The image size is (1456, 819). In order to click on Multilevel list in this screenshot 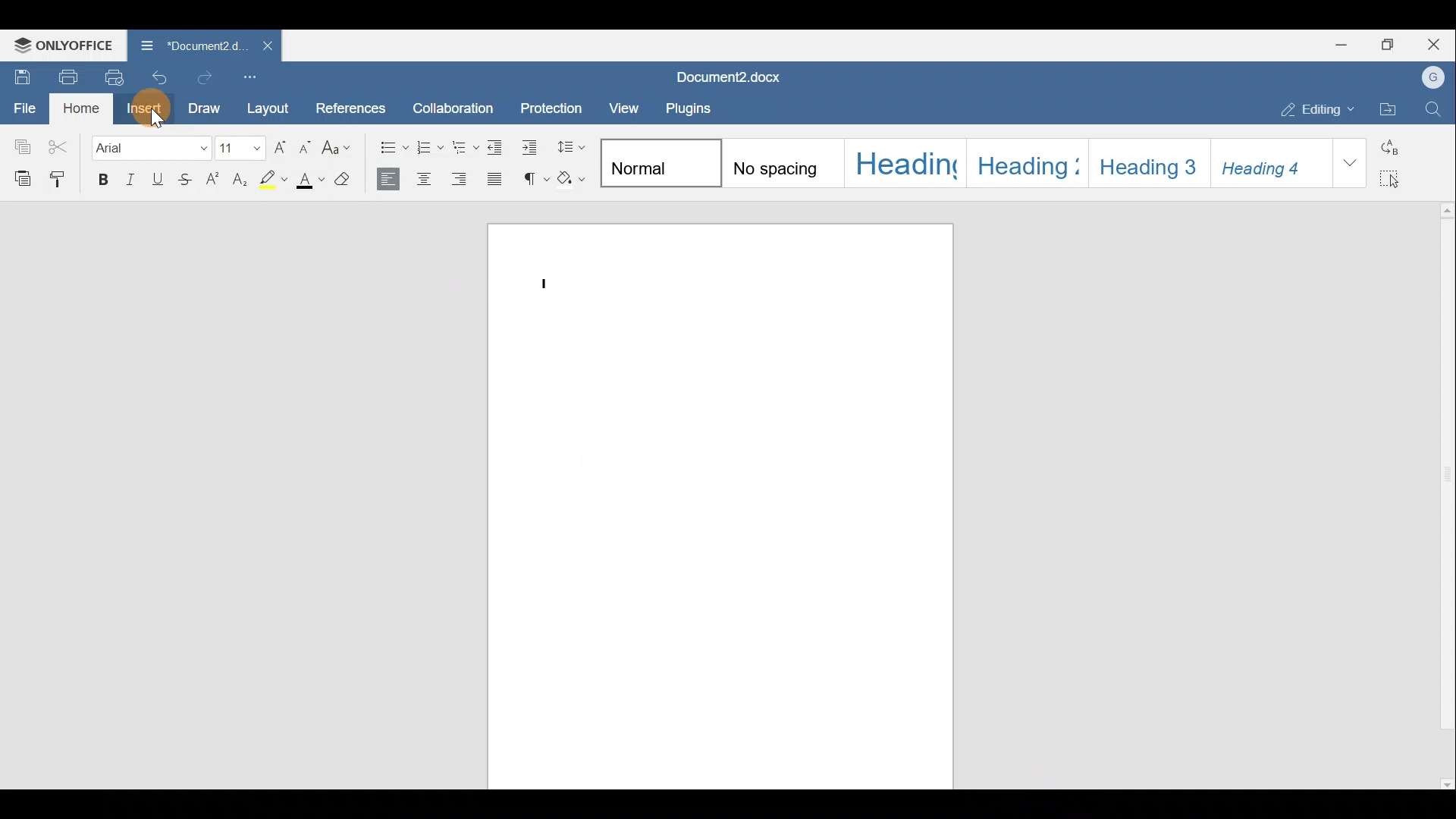, I will do `click(469, 146)`.